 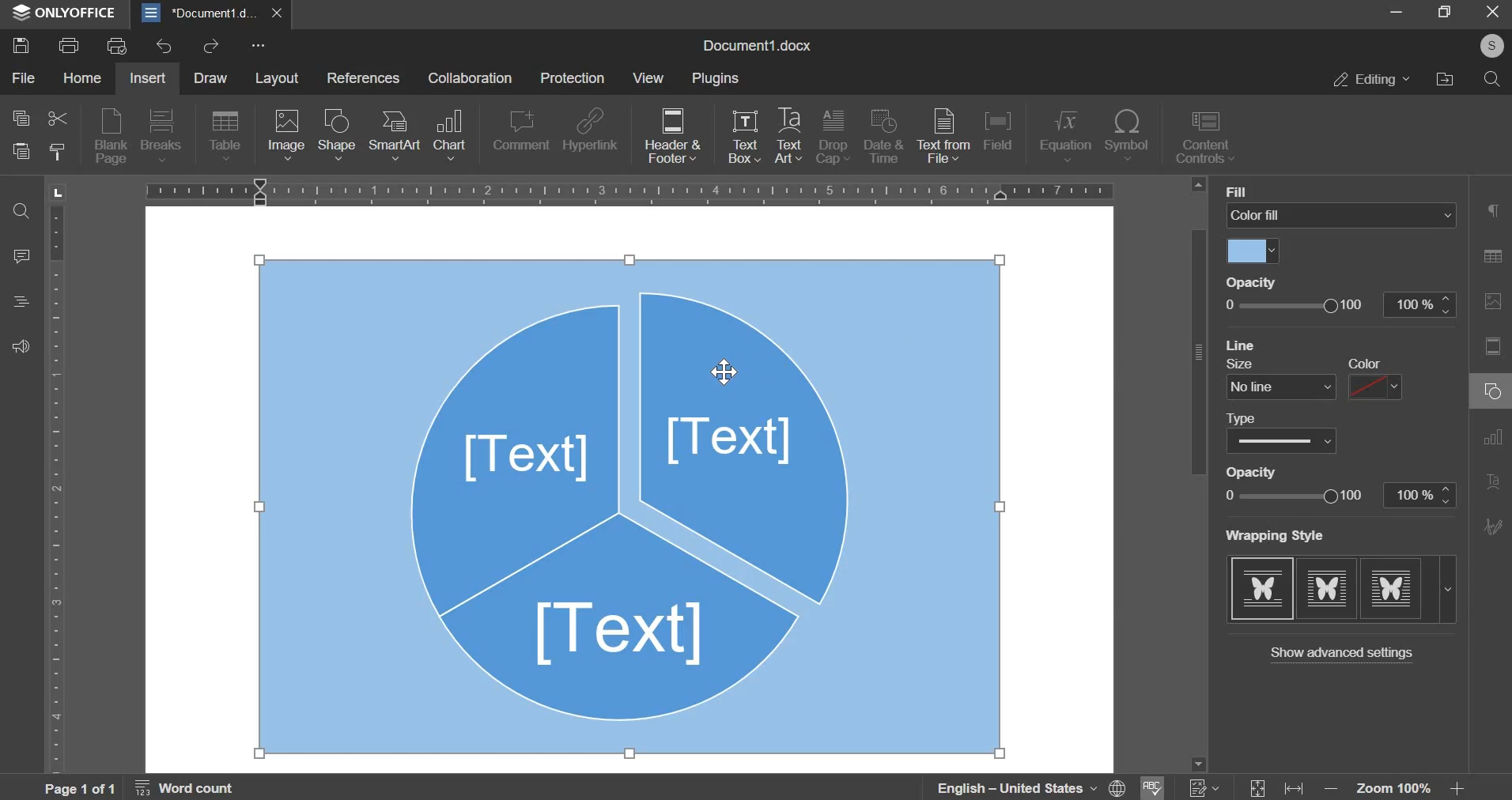 What do you see at coordinates (58, 121) in the screenshot?
I see `cut` at bounding box center [58, 121].